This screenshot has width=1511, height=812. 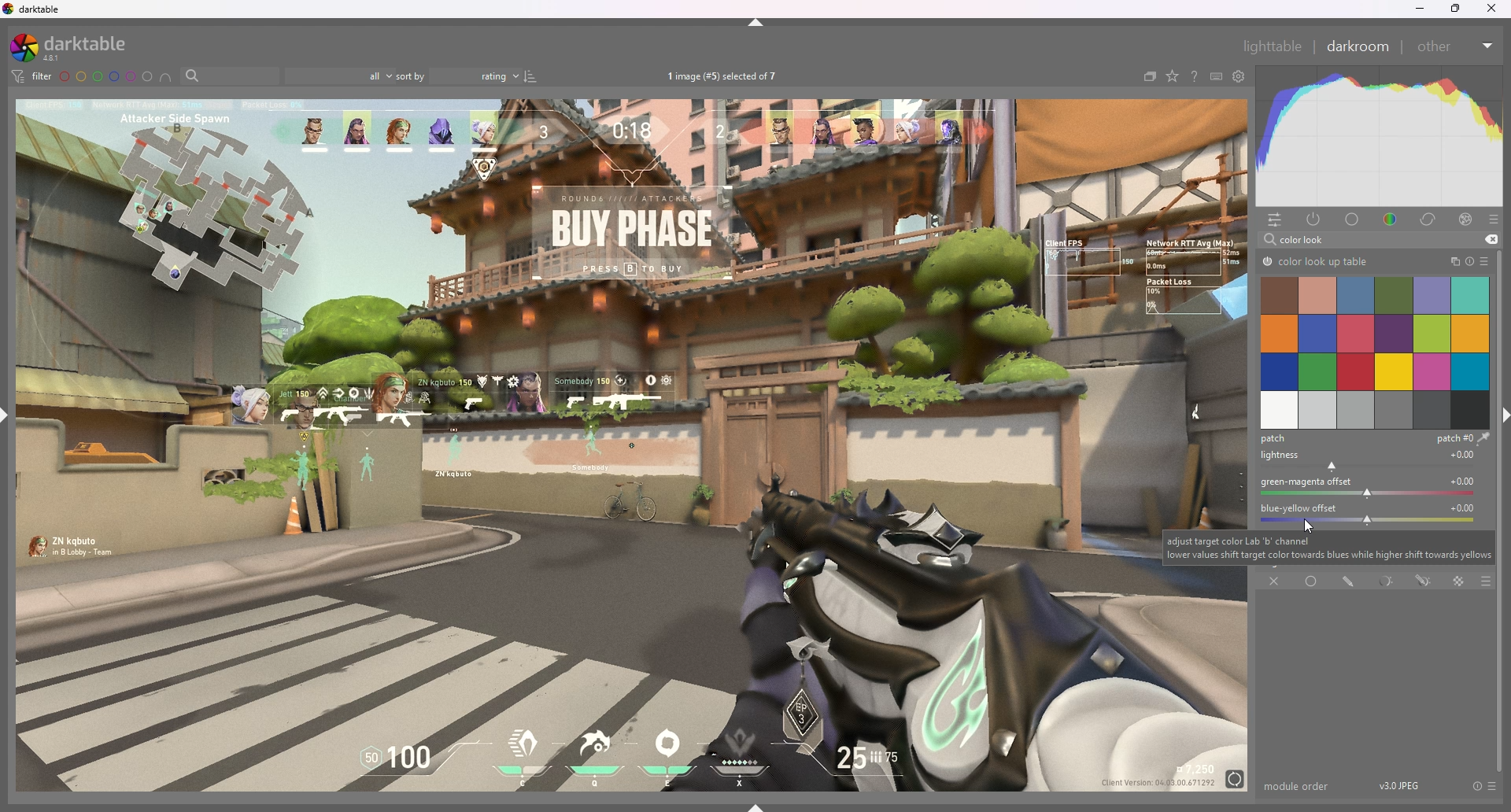 What do you see at coordinates (1422, 582) in the screenshot?
I see `drawn and parametric mask` at bounding box center [1422, 582].